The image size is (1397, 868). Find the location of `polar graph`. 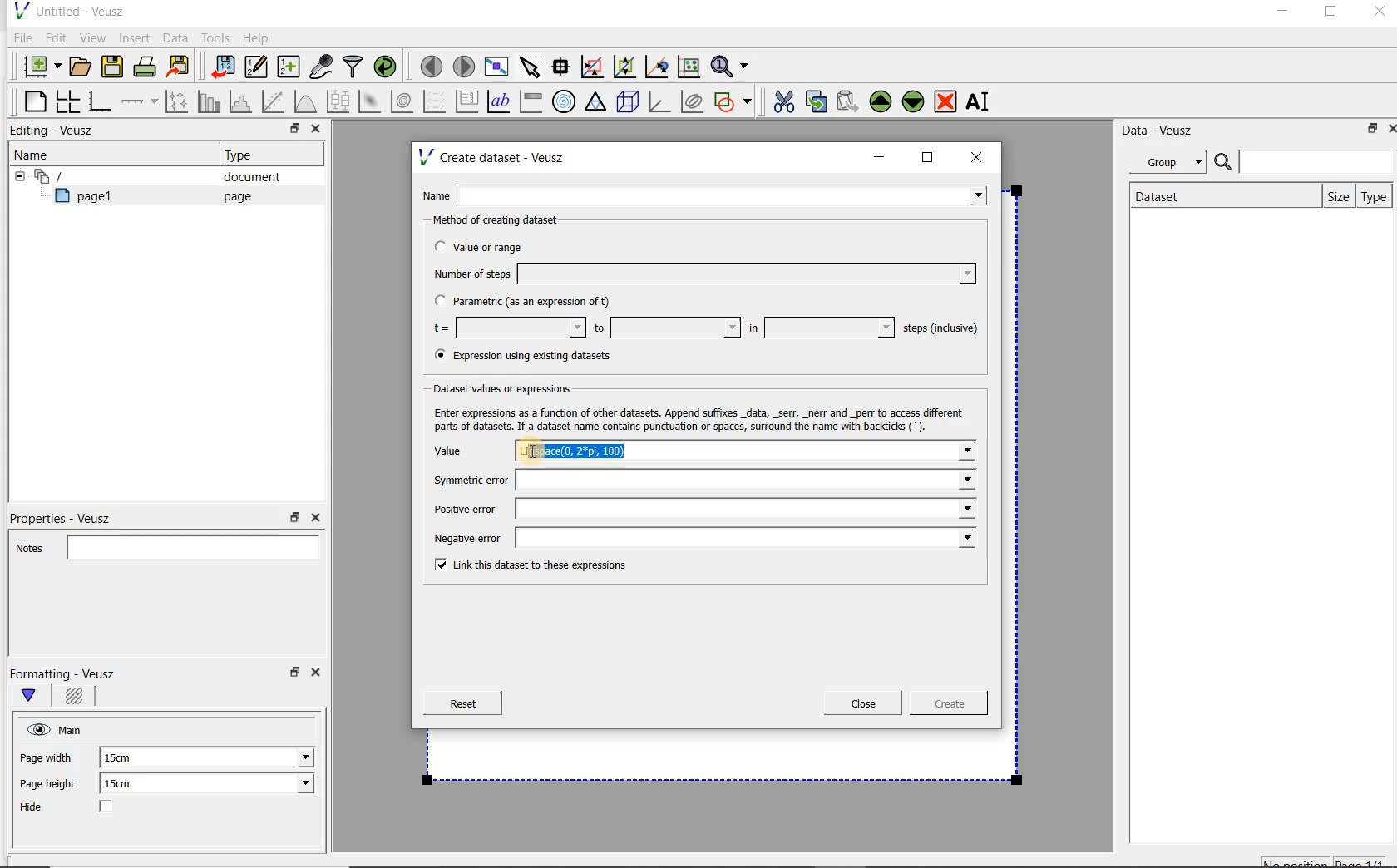

polar graph is located at coordinates (565, 101).